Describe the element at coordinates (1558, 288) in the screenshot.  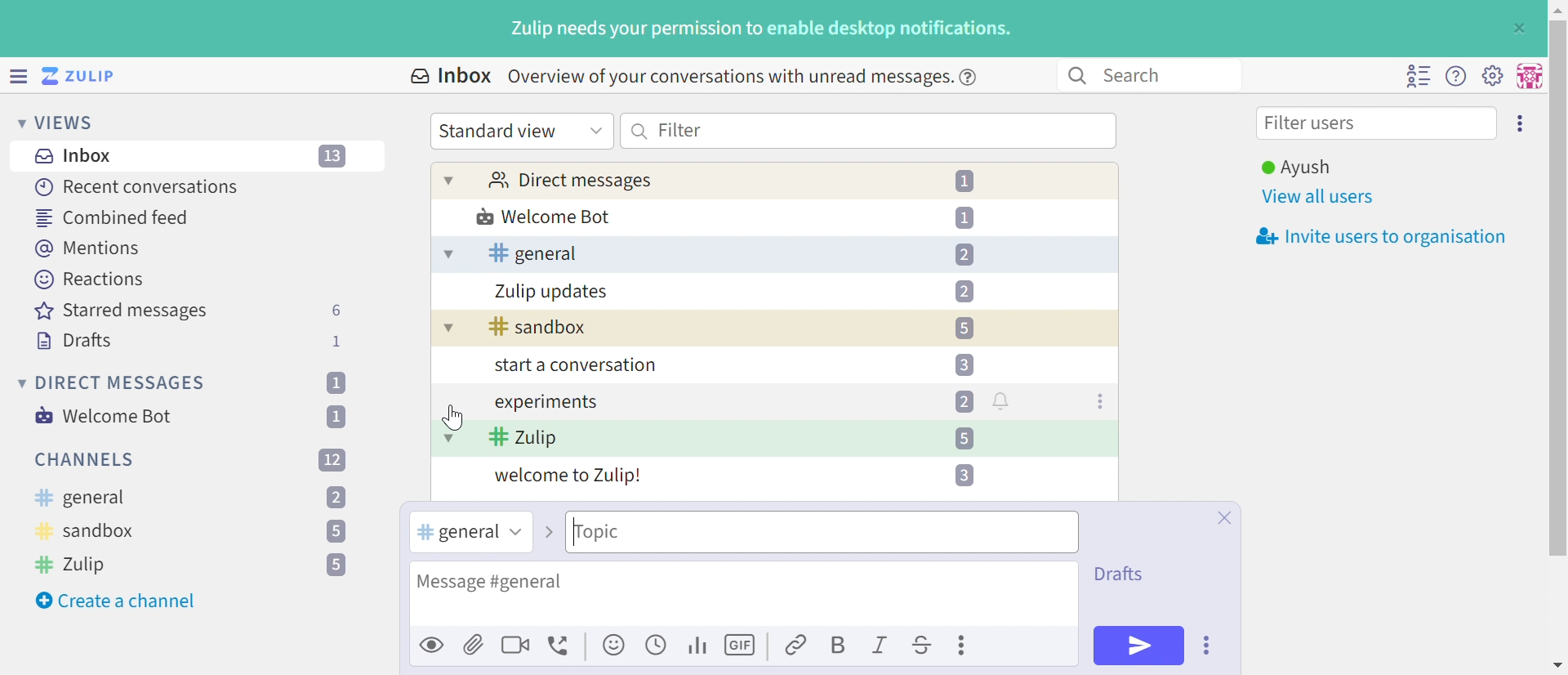
I see `vertical scrollbar` at that location.